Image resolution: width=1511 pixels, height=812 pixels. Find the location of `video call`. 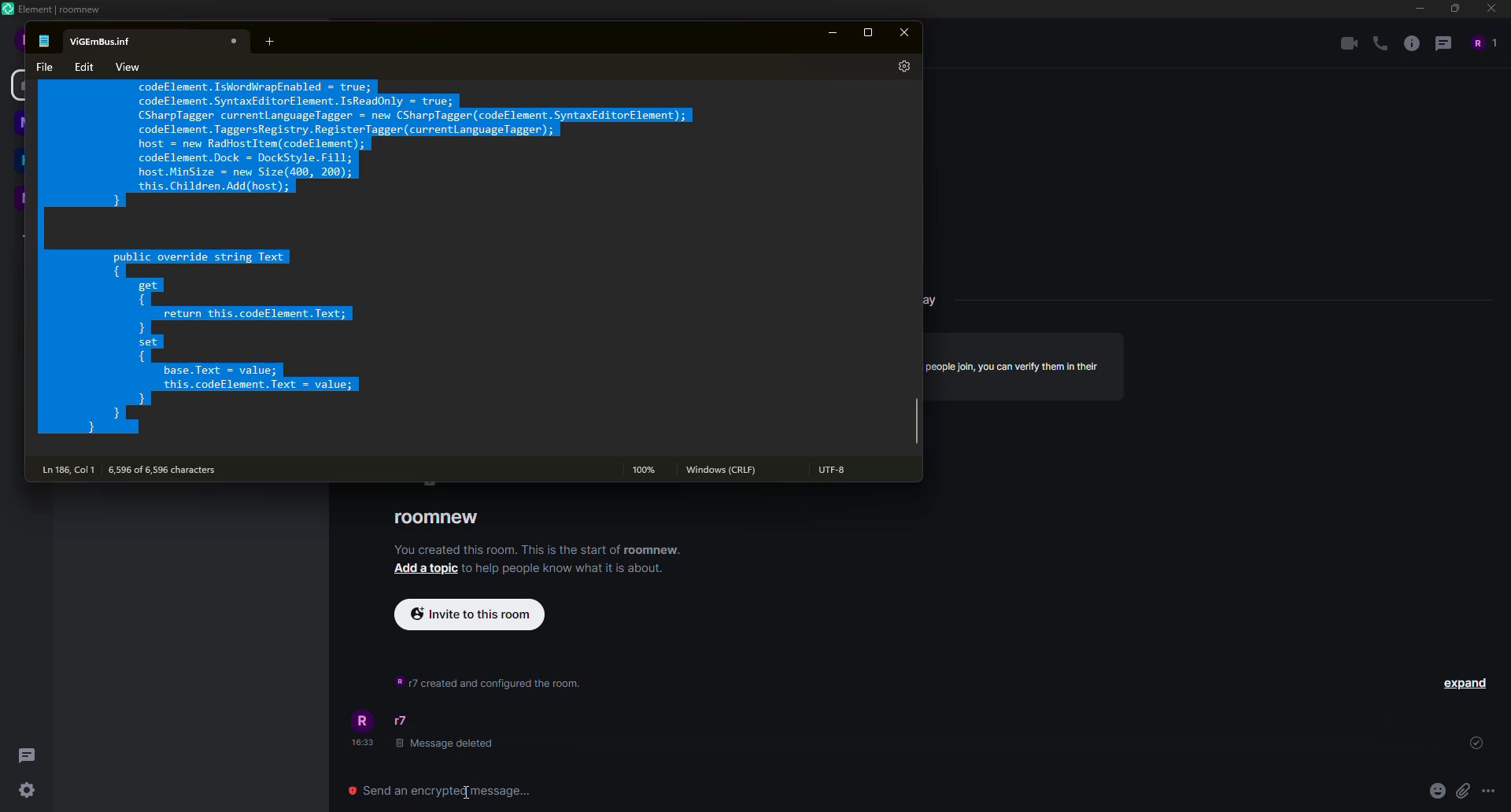

video call is located at coordinates (1344, 43).